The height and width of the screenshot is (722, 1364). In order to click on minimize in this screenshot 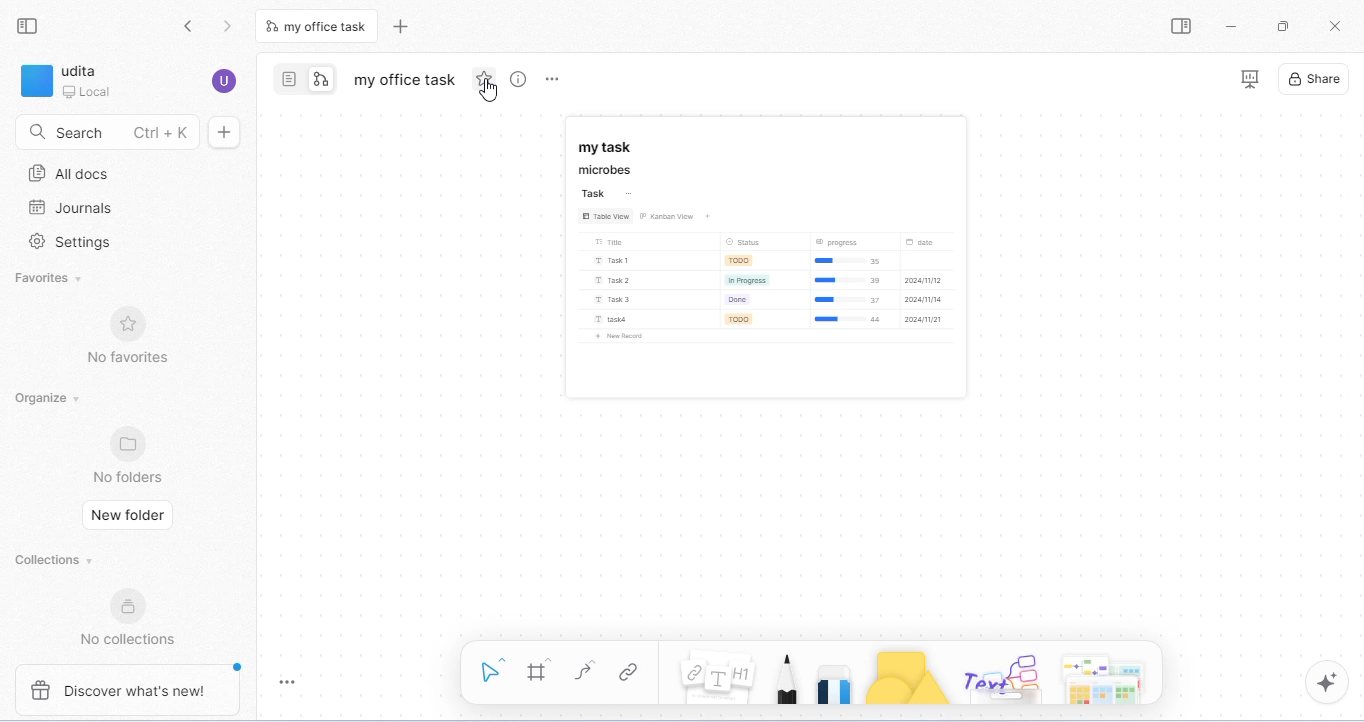, I will do `click(1232, 27)`.